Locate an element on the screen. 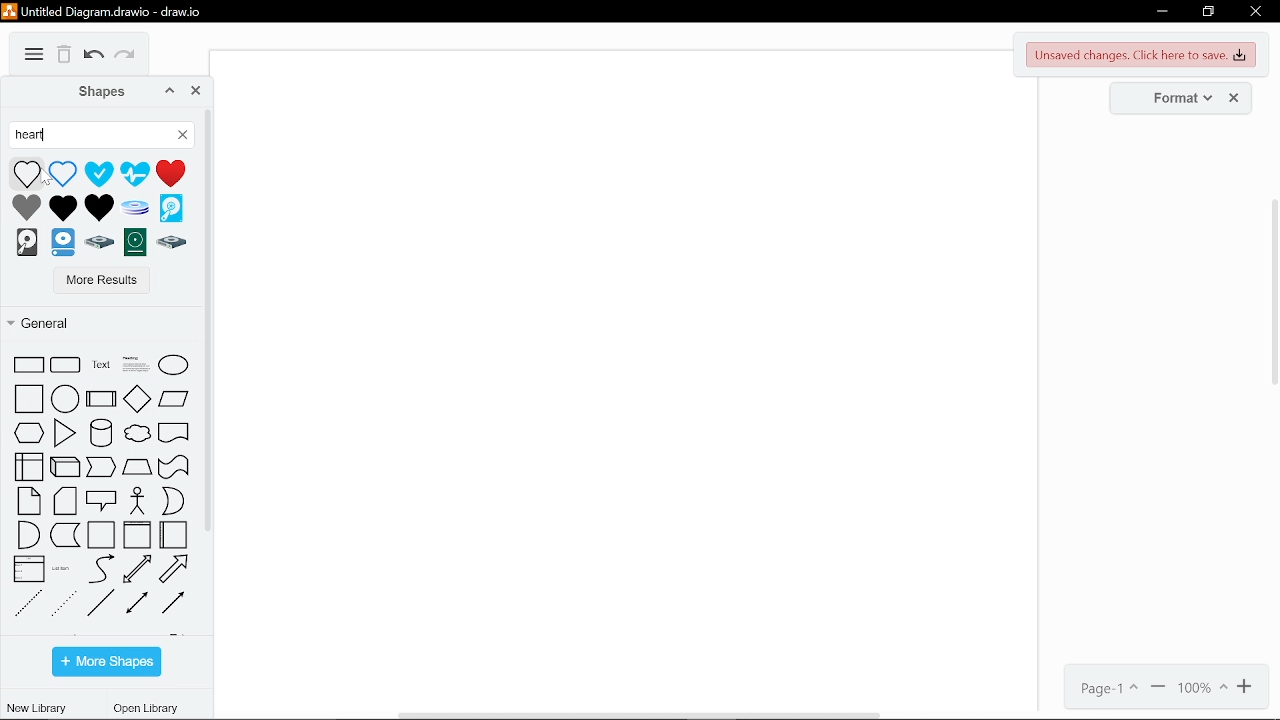 The width and height of the screenshot is (1280, 720). hard disk is located at coordinates (26, 241).